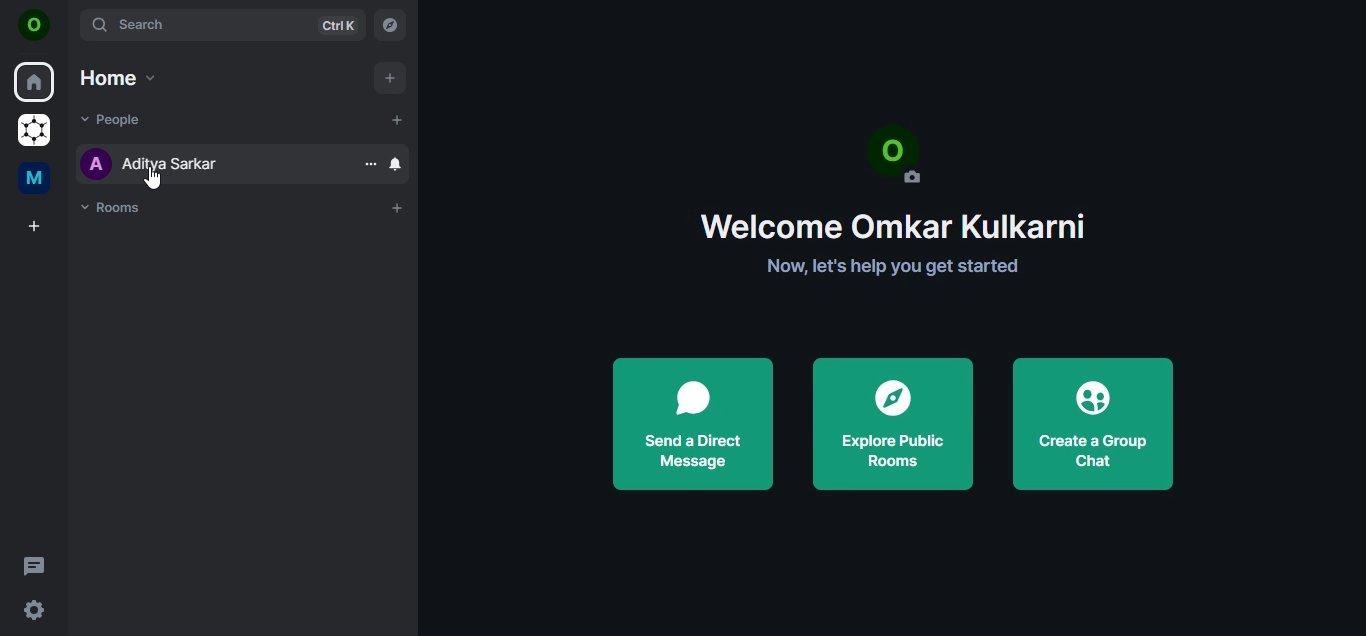  Describe the element at coordinates (33, 563) in the screenshot. I see `threads` at that location.